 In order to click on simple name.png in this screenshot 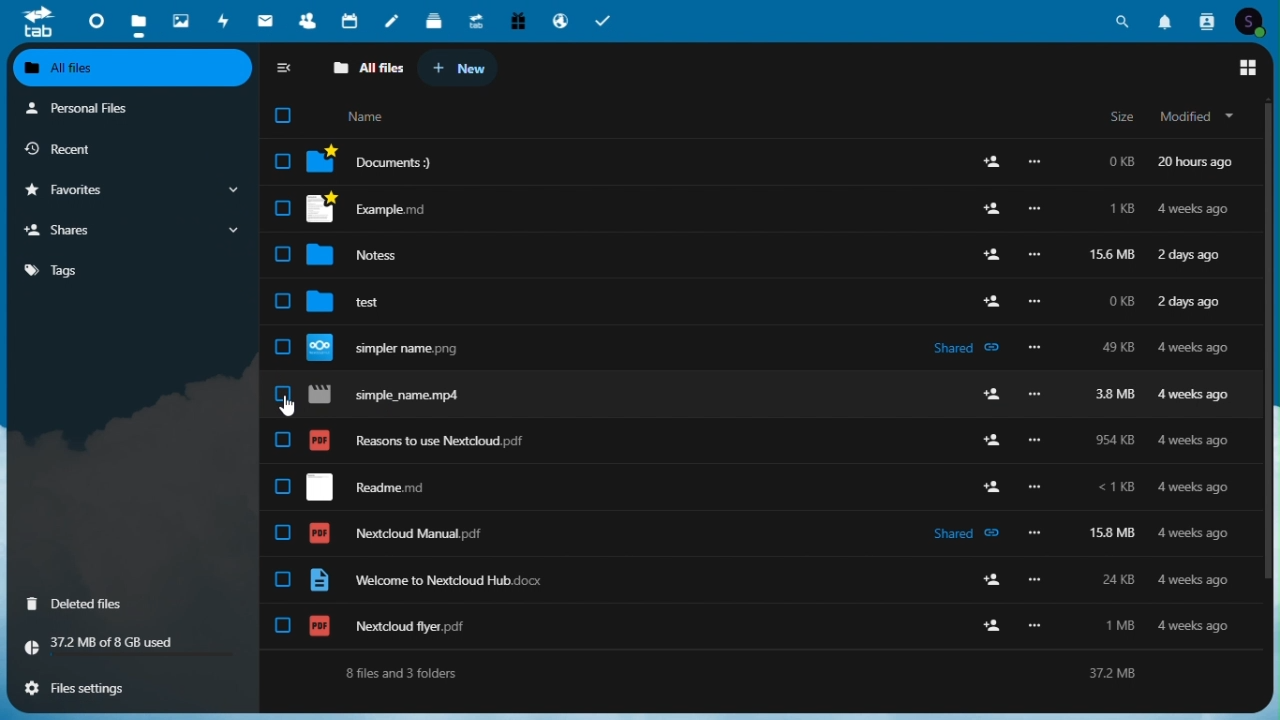, I will do `click(748, 347)`.